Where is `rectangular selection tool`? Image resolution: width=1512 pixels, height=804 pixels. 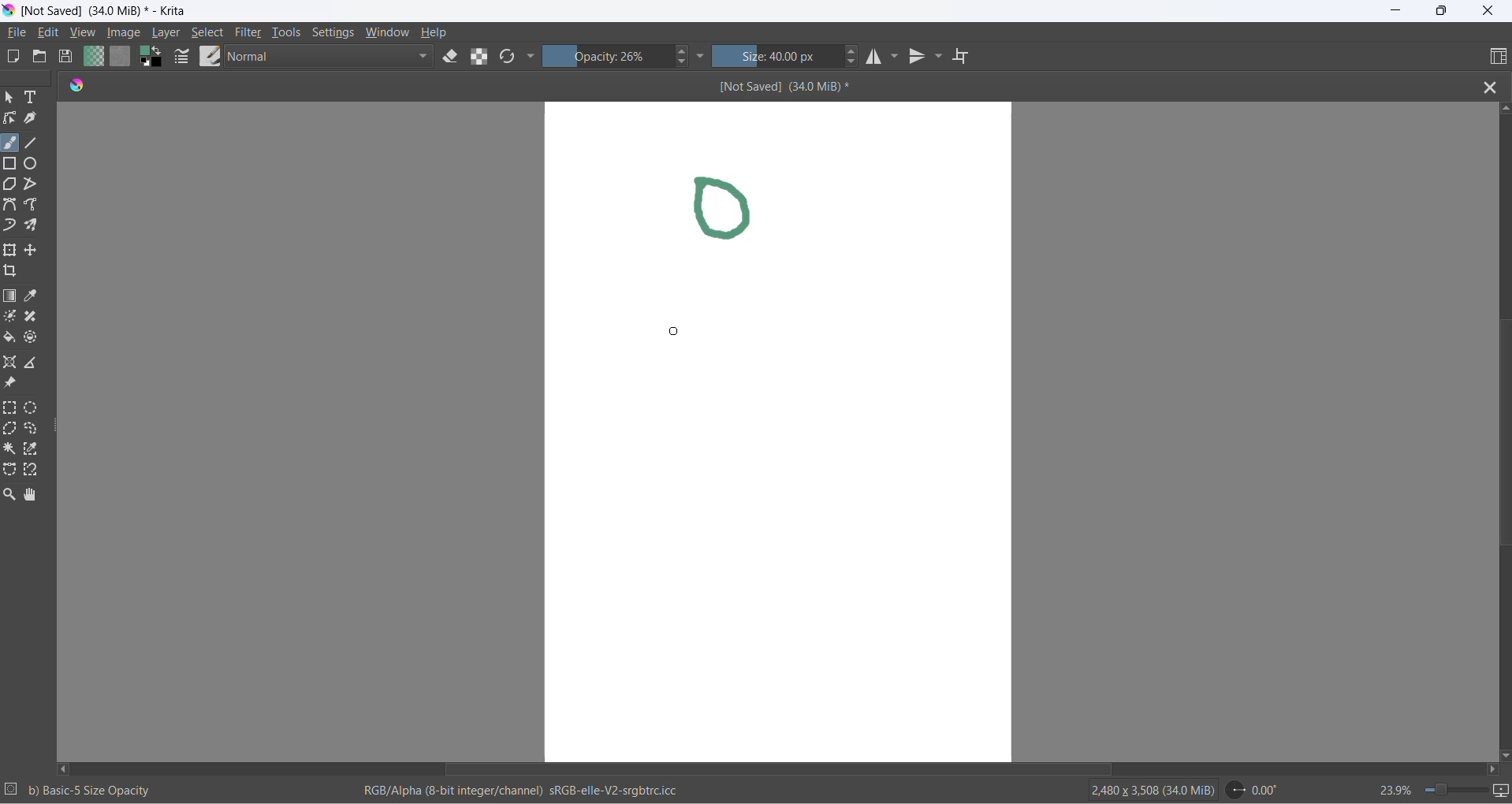 rectangular selection tool is located at coordinates (10, 410).